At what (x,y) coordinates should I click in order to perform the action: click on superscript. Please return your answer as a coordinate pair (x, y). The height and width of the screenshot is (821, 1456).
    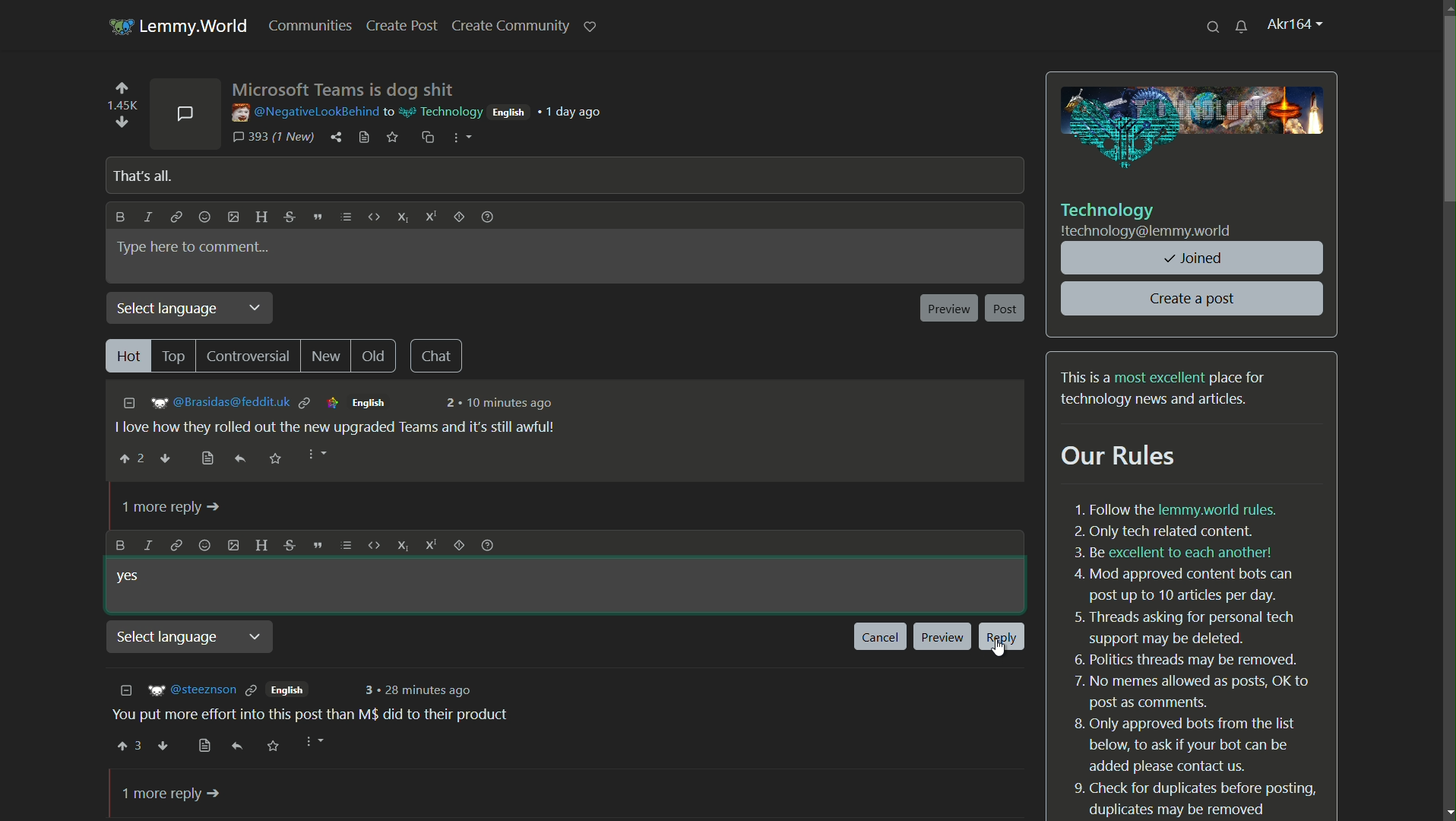
    Looking at the image, I should click on (430, 544).